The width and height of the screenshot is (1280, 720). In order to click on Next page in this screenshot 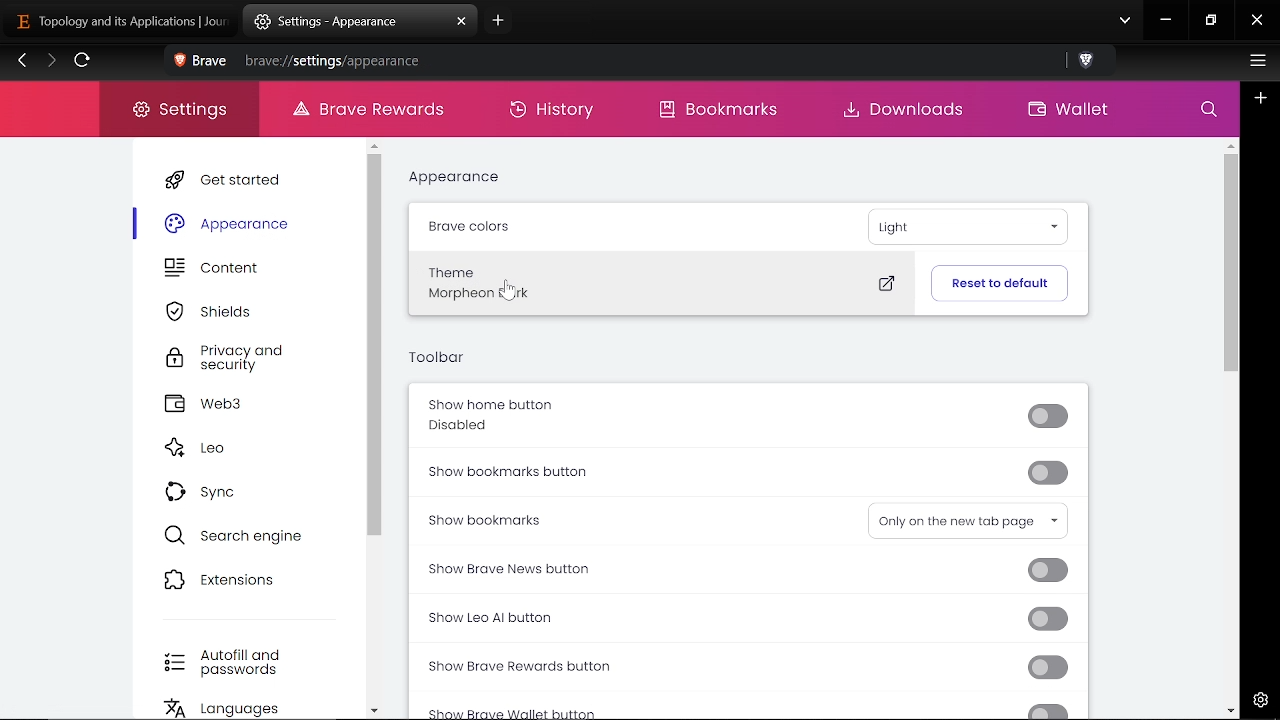, I will do `click(51, 62)`.